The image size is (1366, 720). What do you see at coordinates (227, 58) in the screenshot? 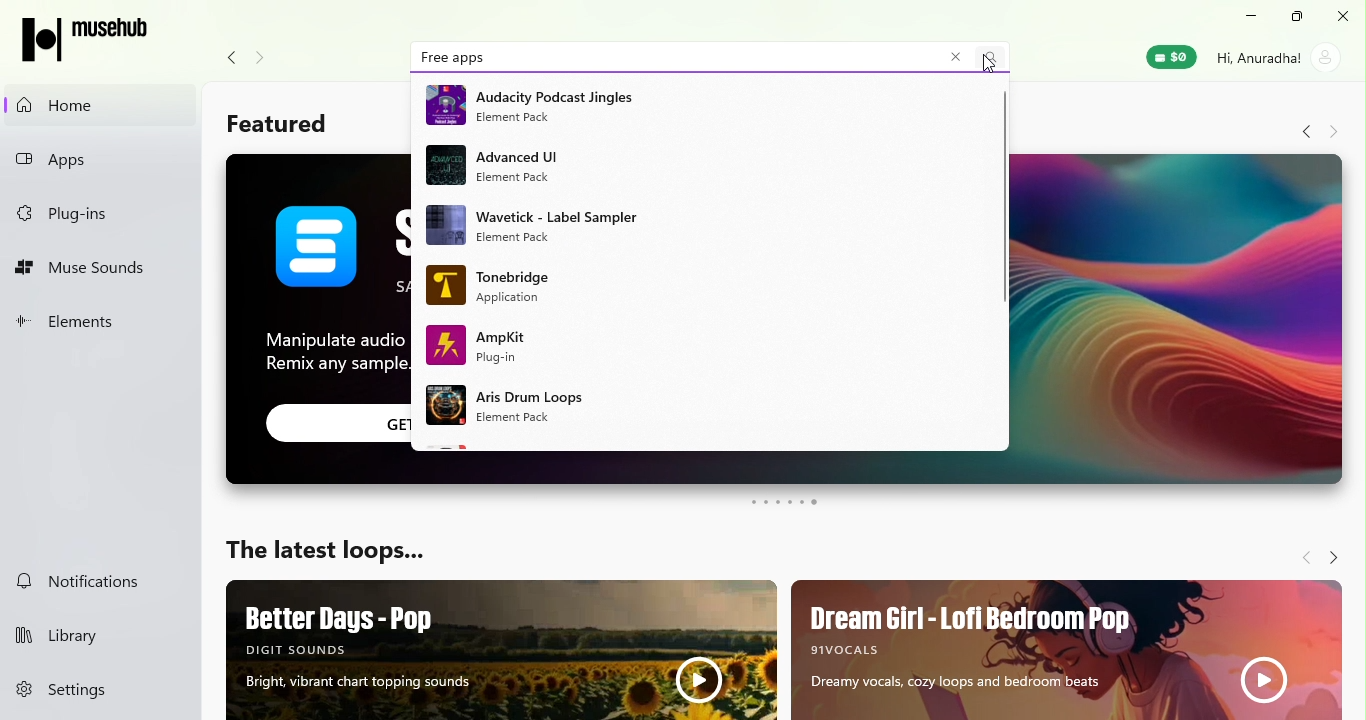
I see `Navigate back` at bounding box center [227, 58].